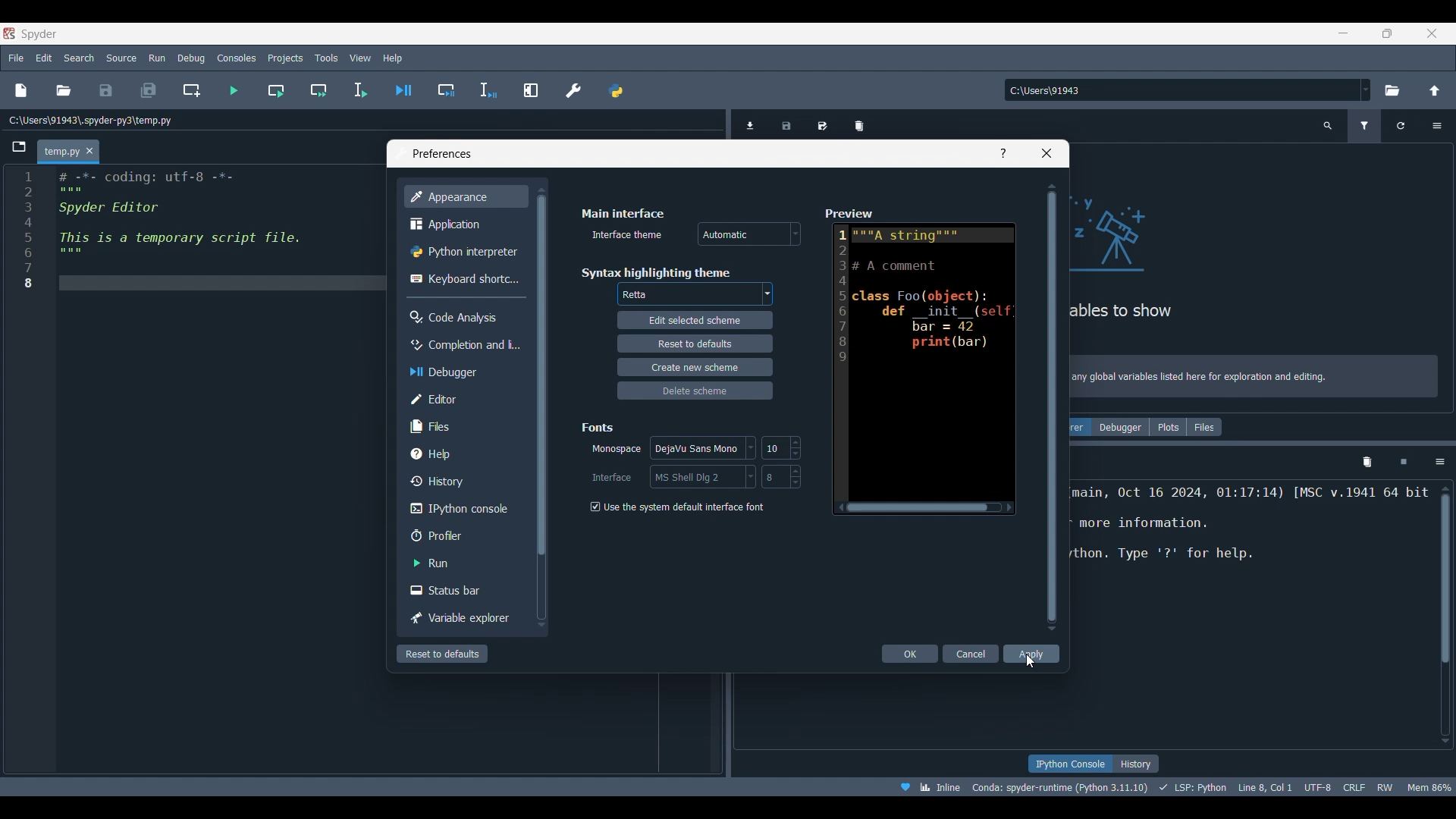 This screenshot has width=1456, height=819. What do you see at coordinates (462, 509) in the screenshot?
I see `IPython console` at bounding box center [462, 509].